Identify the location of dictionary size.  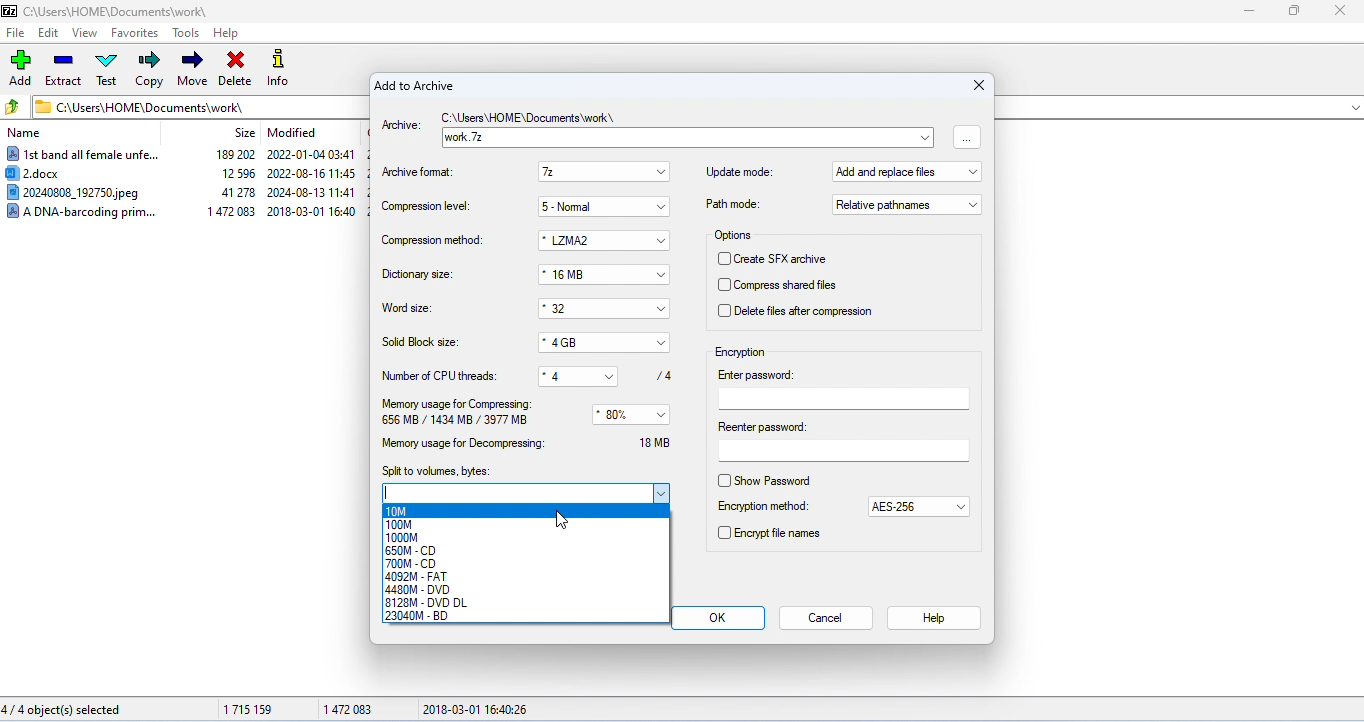
(419, 275).